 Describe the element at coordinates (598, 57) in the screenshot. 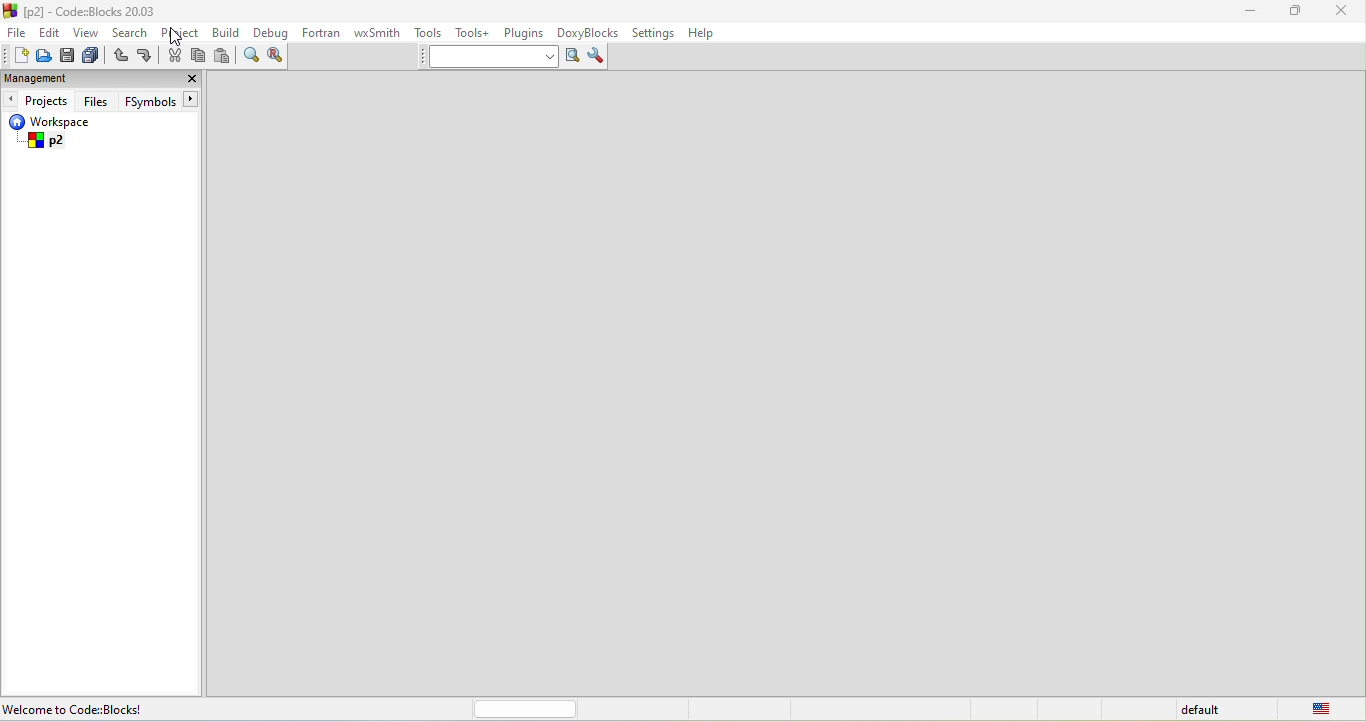

I see `show option window` at that location.